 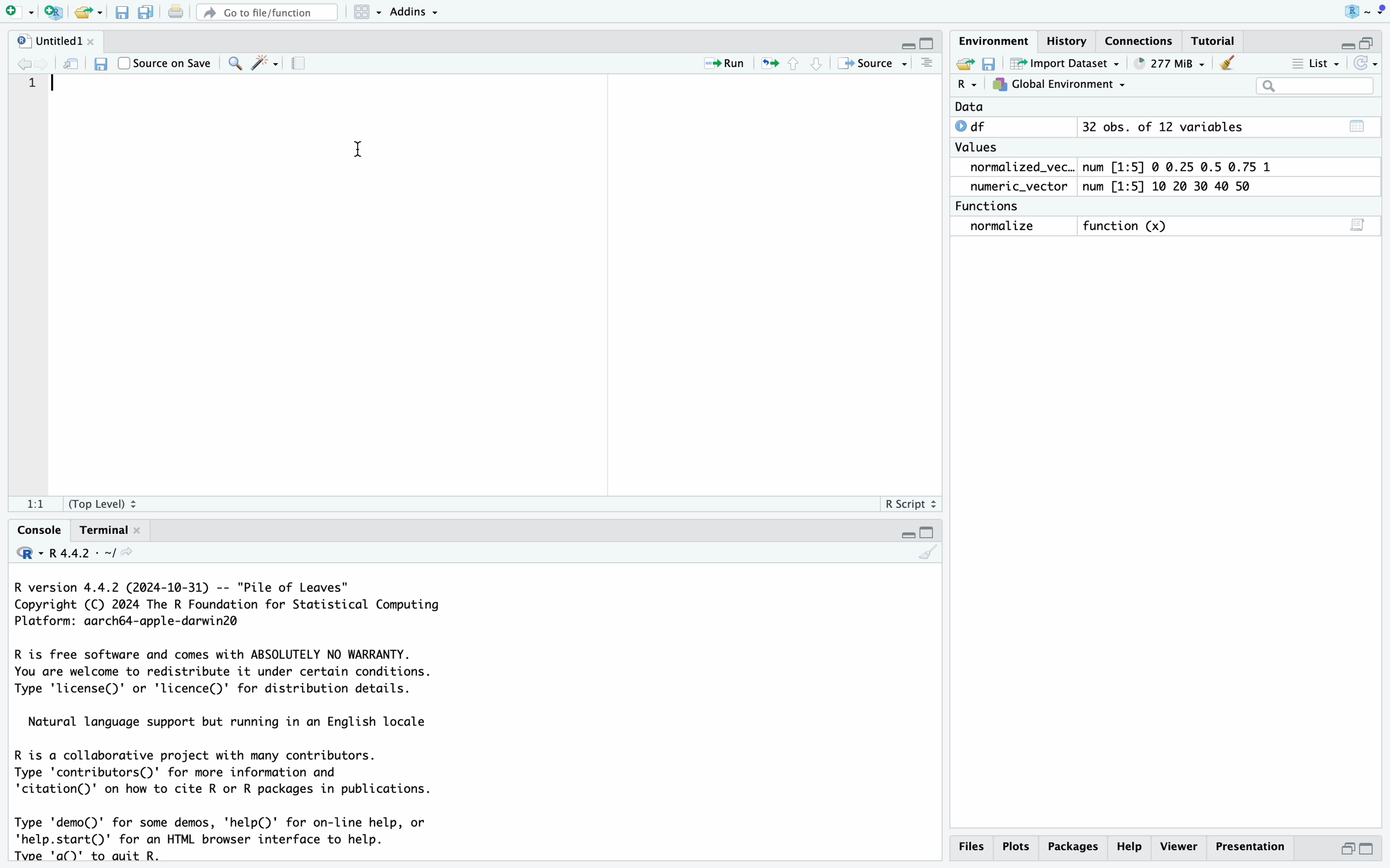 I want to click on Files, so click(x=973, y=849).